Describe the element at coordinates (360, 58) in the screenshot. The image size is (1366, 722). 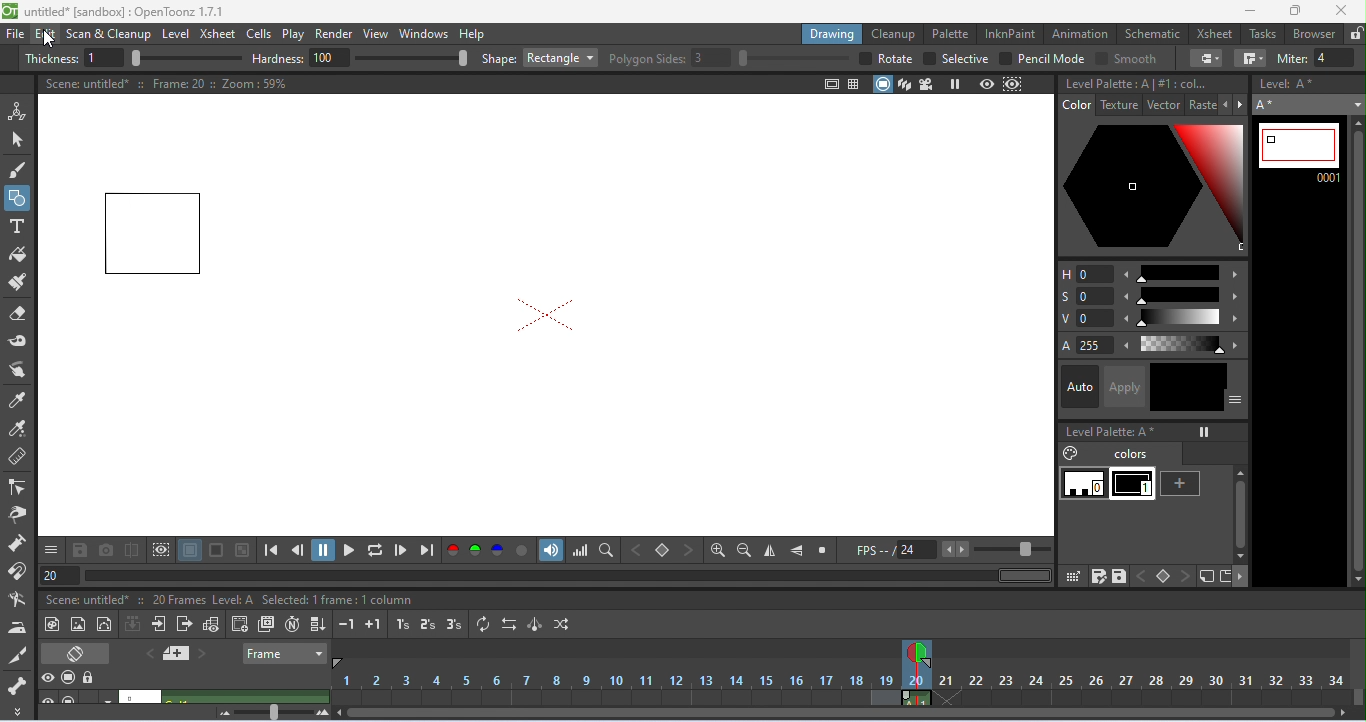
I see `hardness` at that location.